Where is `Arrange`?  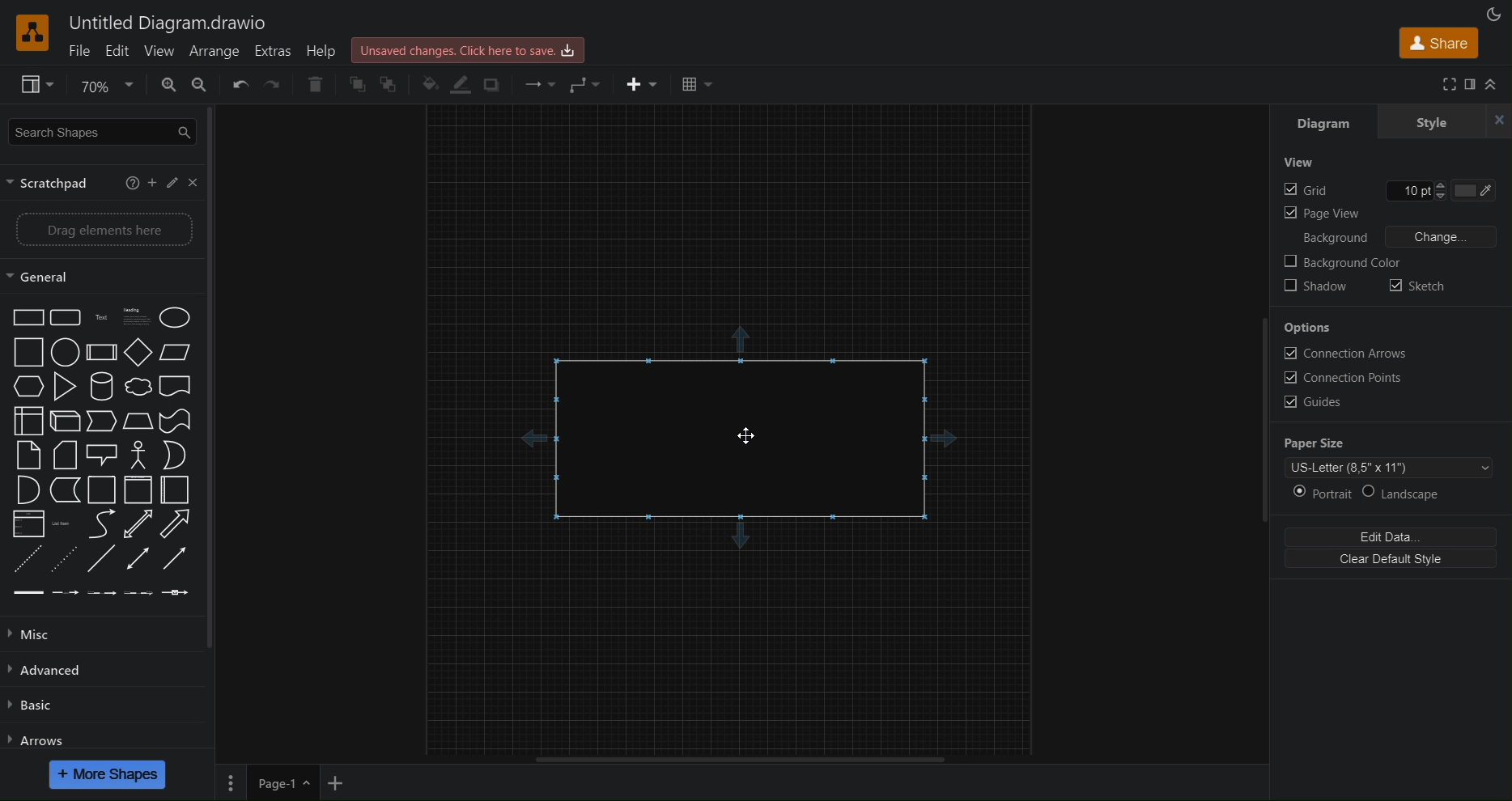 Arrange is located at coordinates (218, 52).